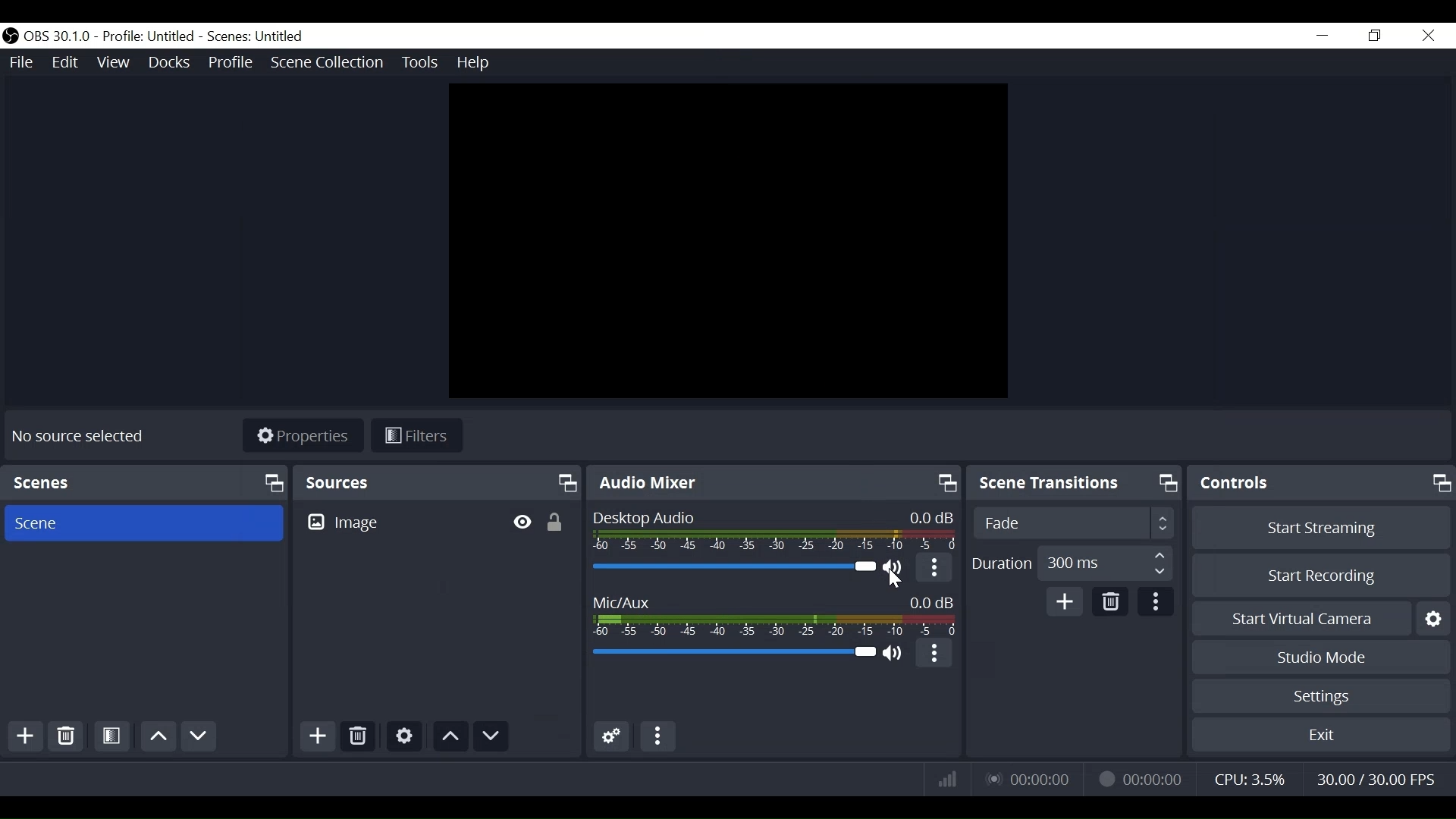 The image size is (1456, 819). I want to click on Add, so click(316, 736).